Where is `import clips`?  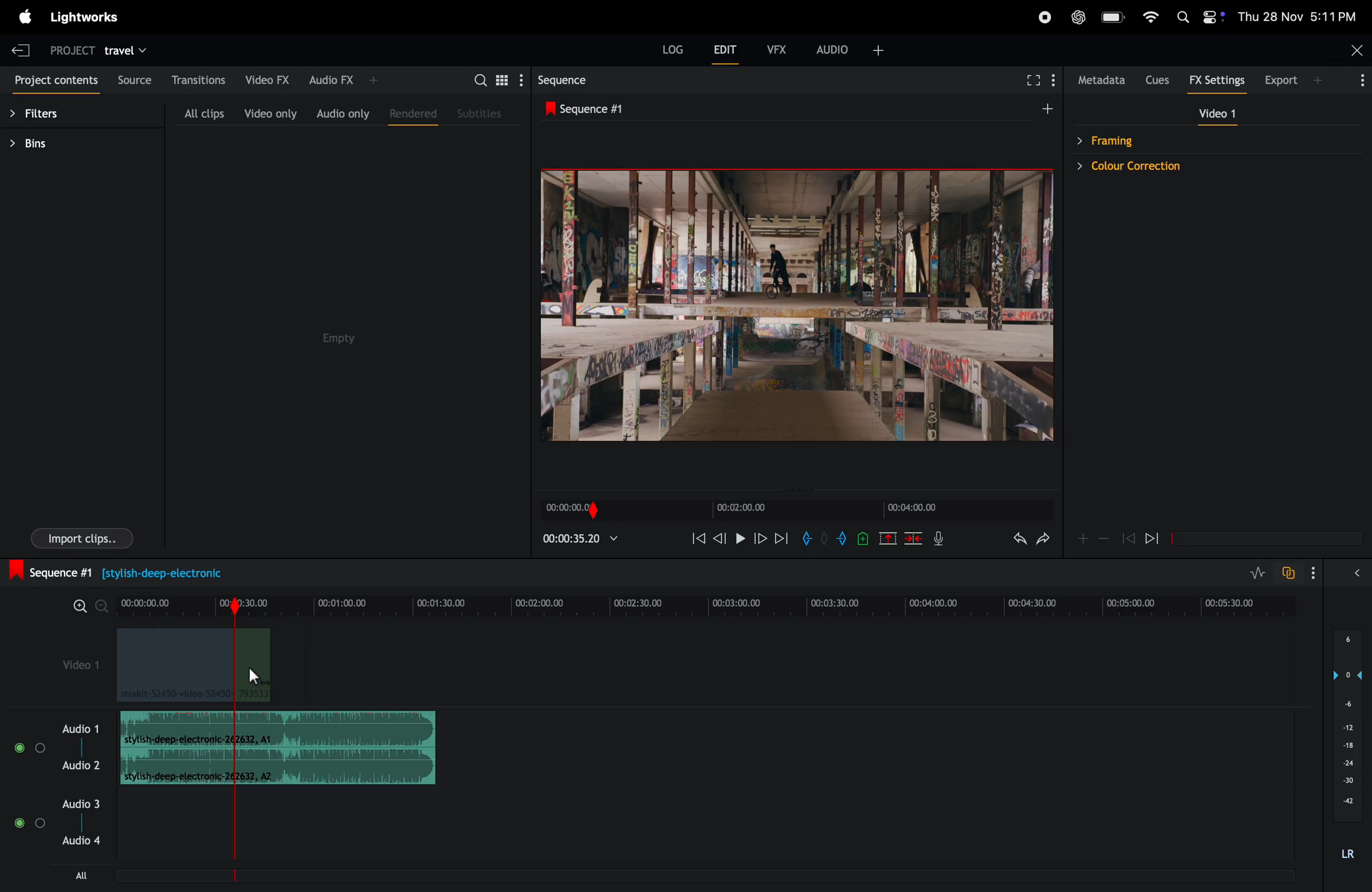 import clips is located at coordinates (82, 538).